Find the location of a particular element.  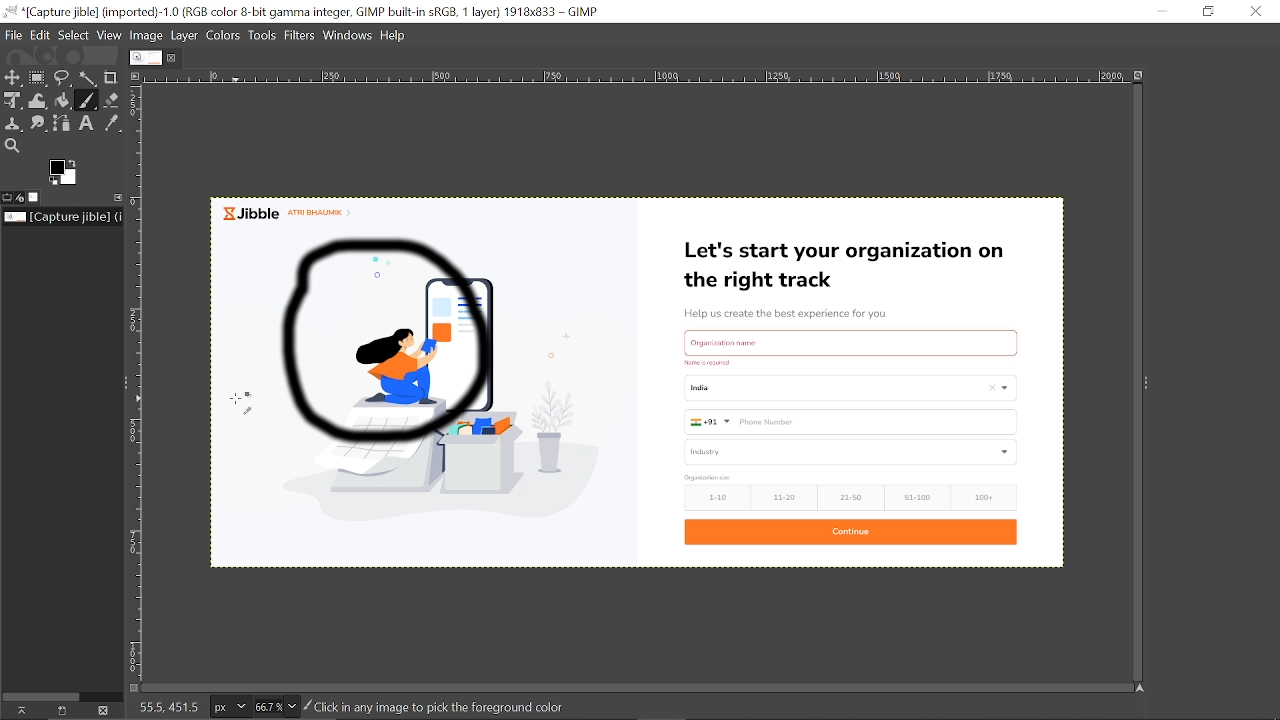

Smudge tool is located at coordinates (40, 122).